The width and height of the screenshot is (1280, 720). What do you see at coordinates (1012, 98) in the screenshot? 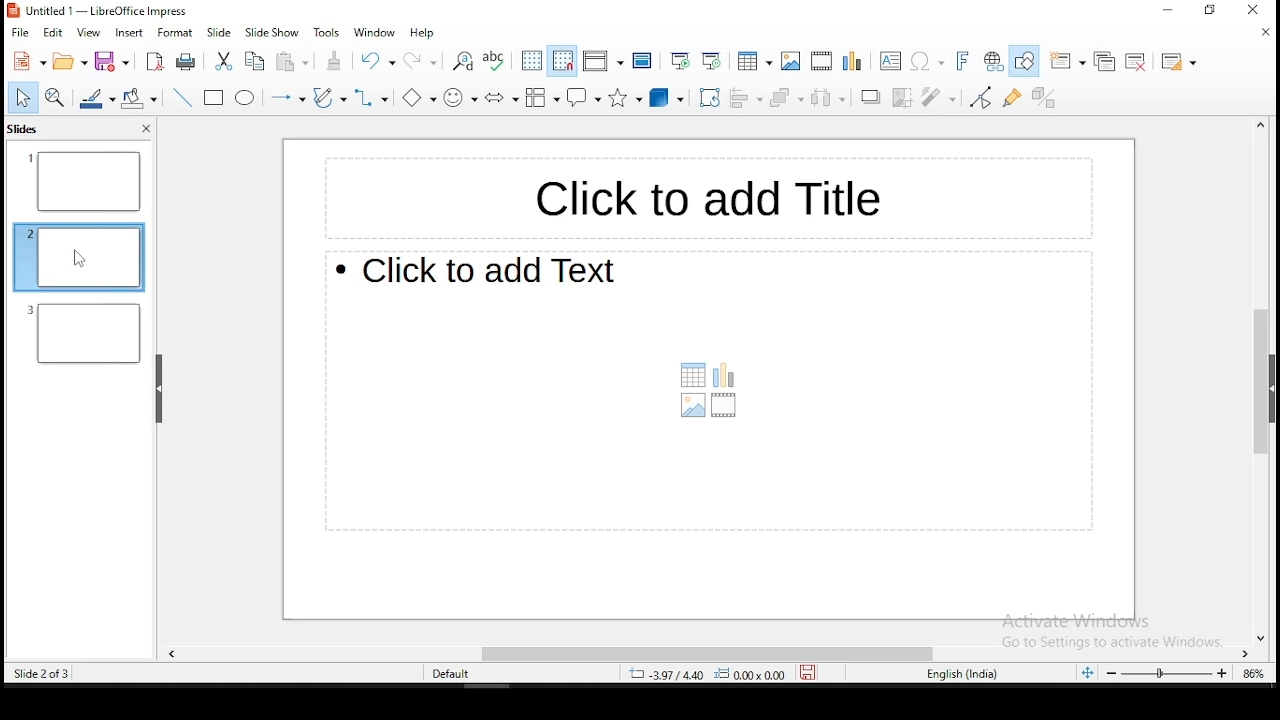
I see `show gluepoint functions` at bounding box center [1012, 98].